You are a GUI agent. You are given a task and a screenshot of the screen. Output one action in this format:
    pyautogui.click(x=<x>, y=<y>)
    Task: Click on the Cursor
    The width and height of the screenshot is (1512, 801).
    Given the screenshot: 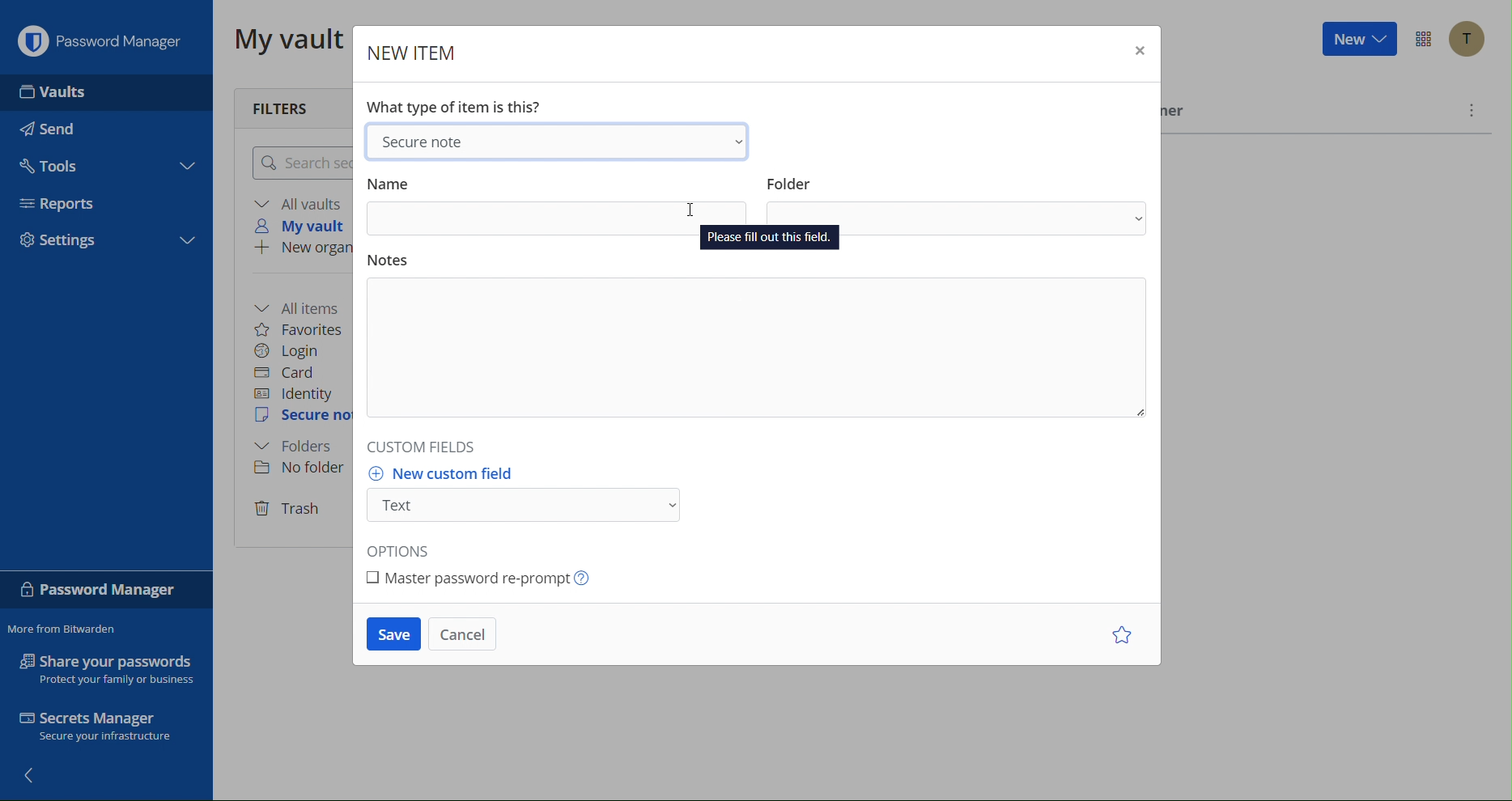 What is the action you would take?
    pyautogui.click(x=691, y=211)
    